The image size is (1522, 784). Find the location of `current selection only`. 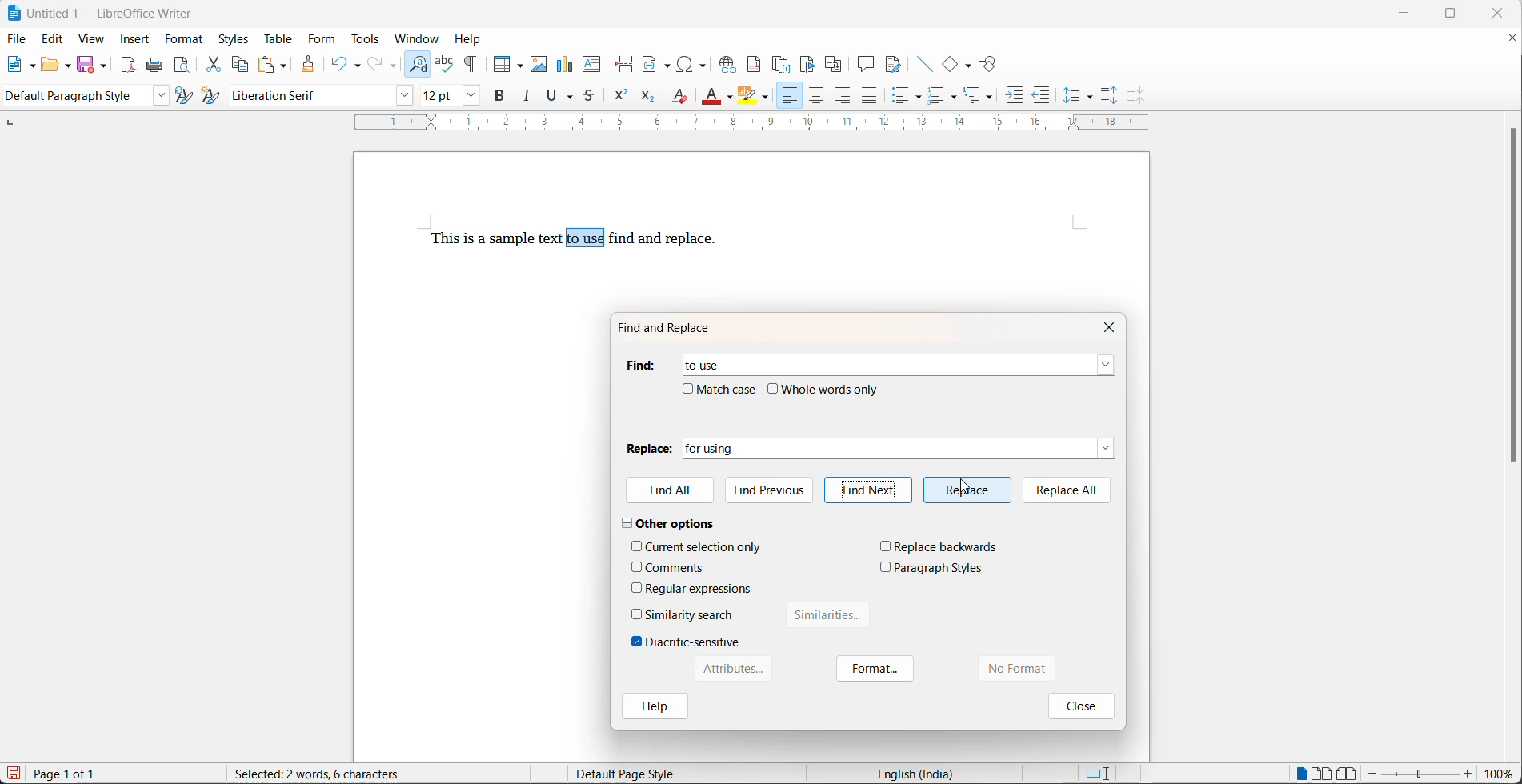

current selection only is located at coordinates (704, 546).